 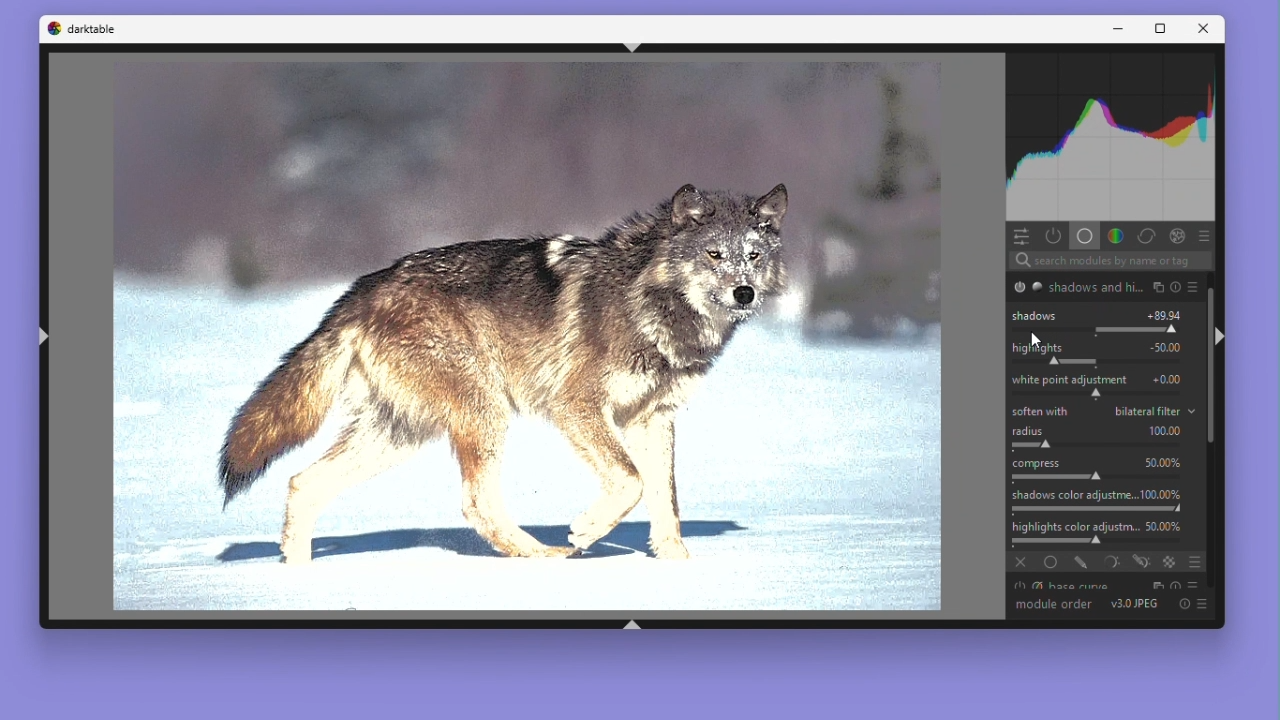 I want to click on presets, so click(x=1192, y=289).